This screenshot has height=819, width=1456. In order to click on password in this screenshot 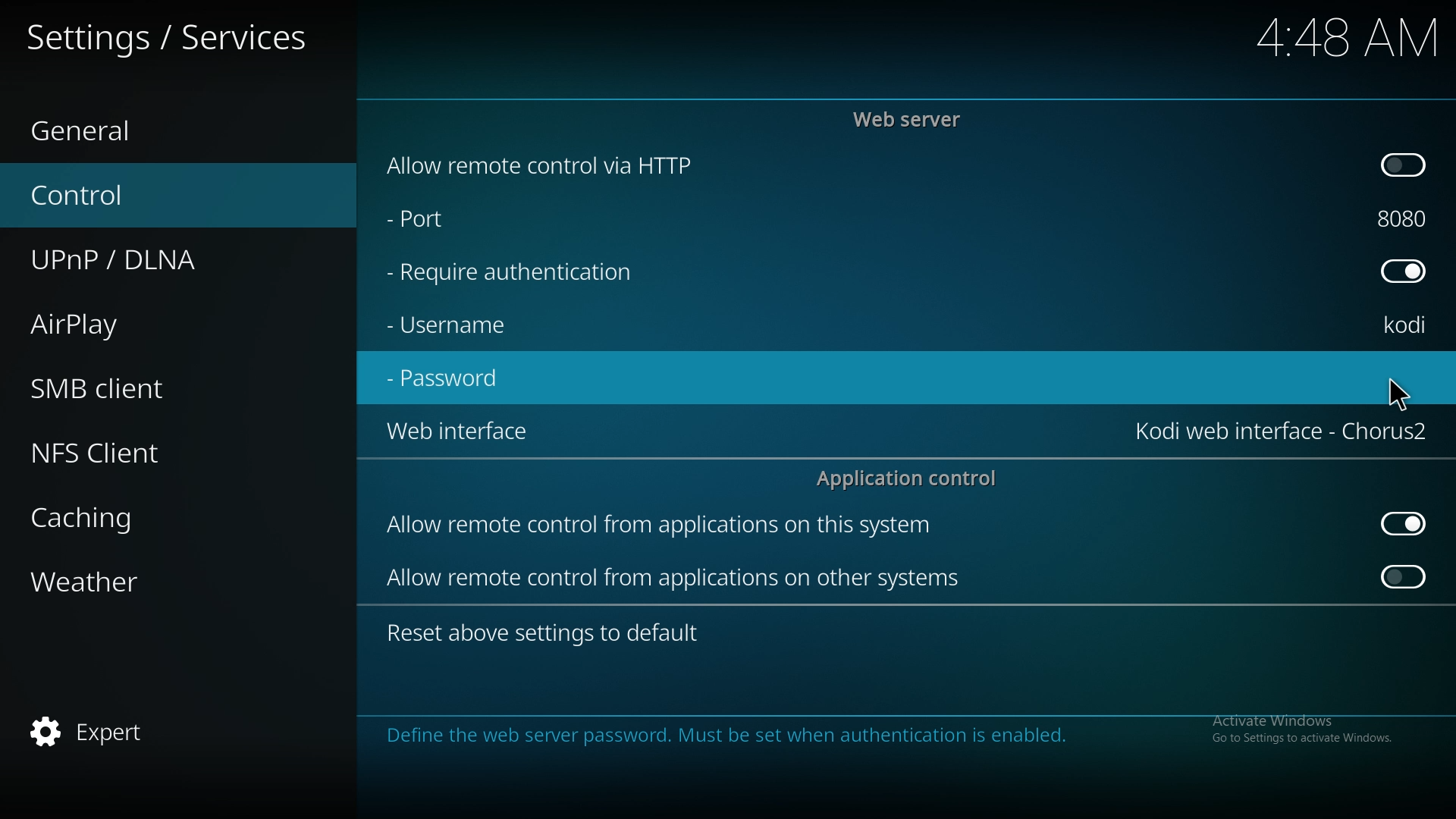, I will do `click(453, 380)`.